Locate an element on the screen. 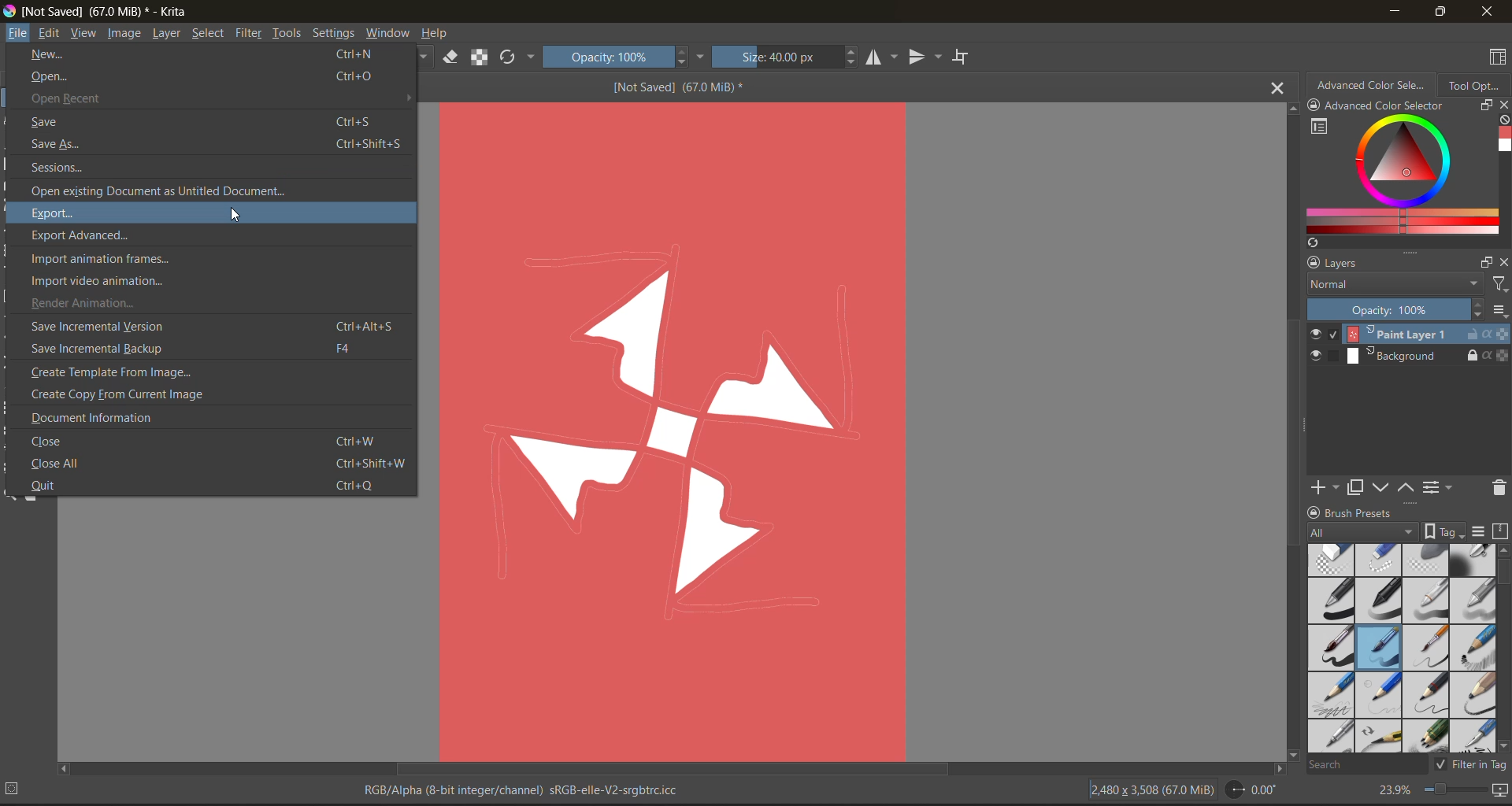 Image resolution: width=1512 pixels, height=806 pixels. float docker is located at coordinates (1486, 106).